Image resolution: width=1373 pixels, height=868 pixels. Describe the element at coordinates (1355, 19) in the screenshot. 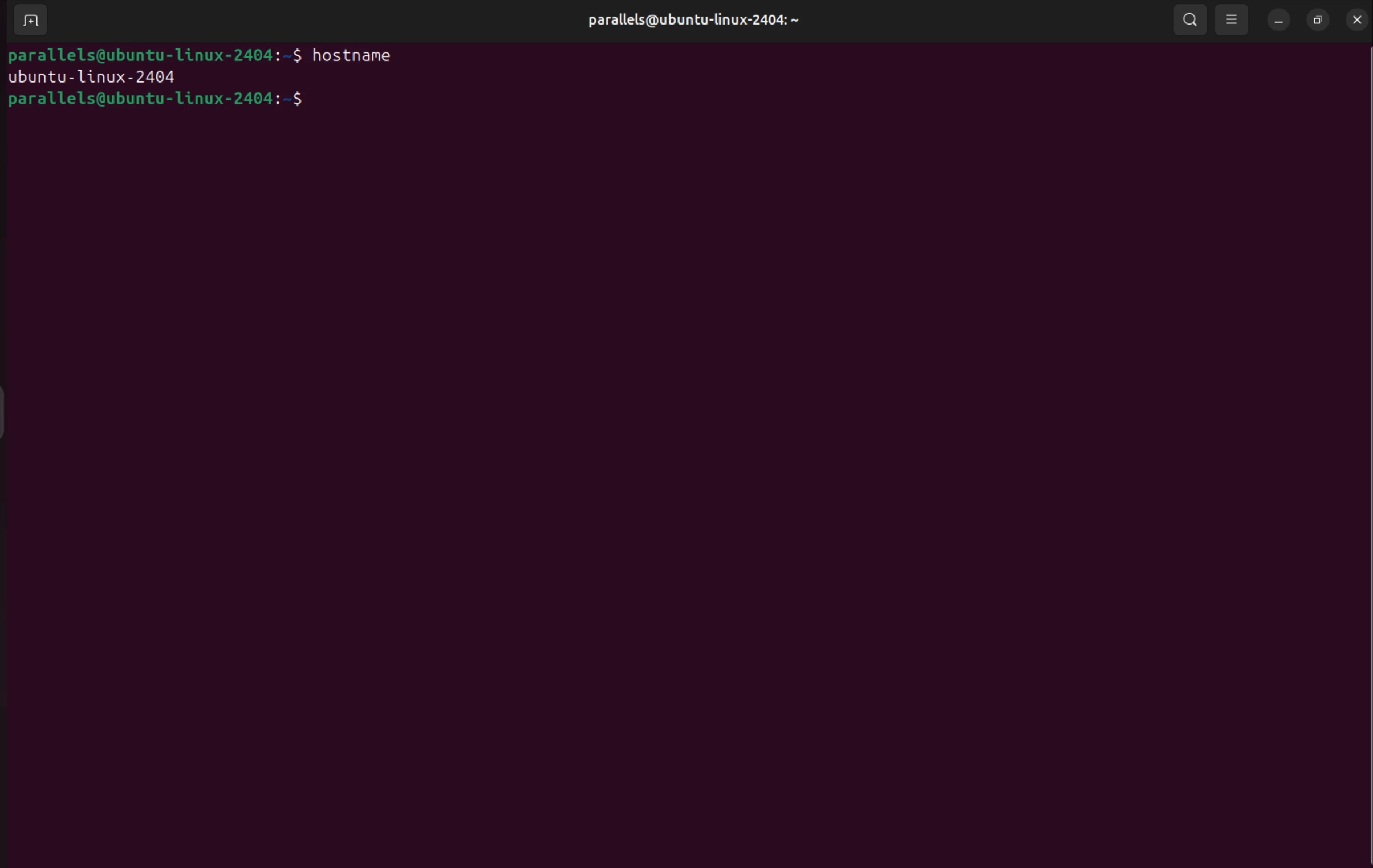

I see `close` at that location.